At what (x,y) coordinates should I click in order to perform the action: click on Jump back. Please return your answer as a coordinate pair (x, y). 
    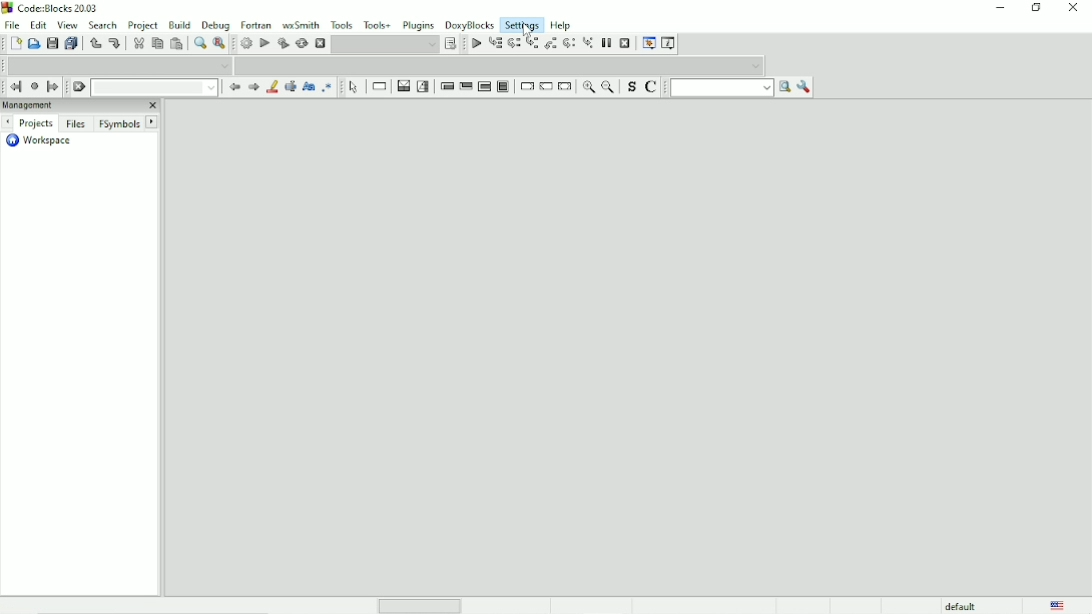
    Looking at the image, I should click on (14, 87).